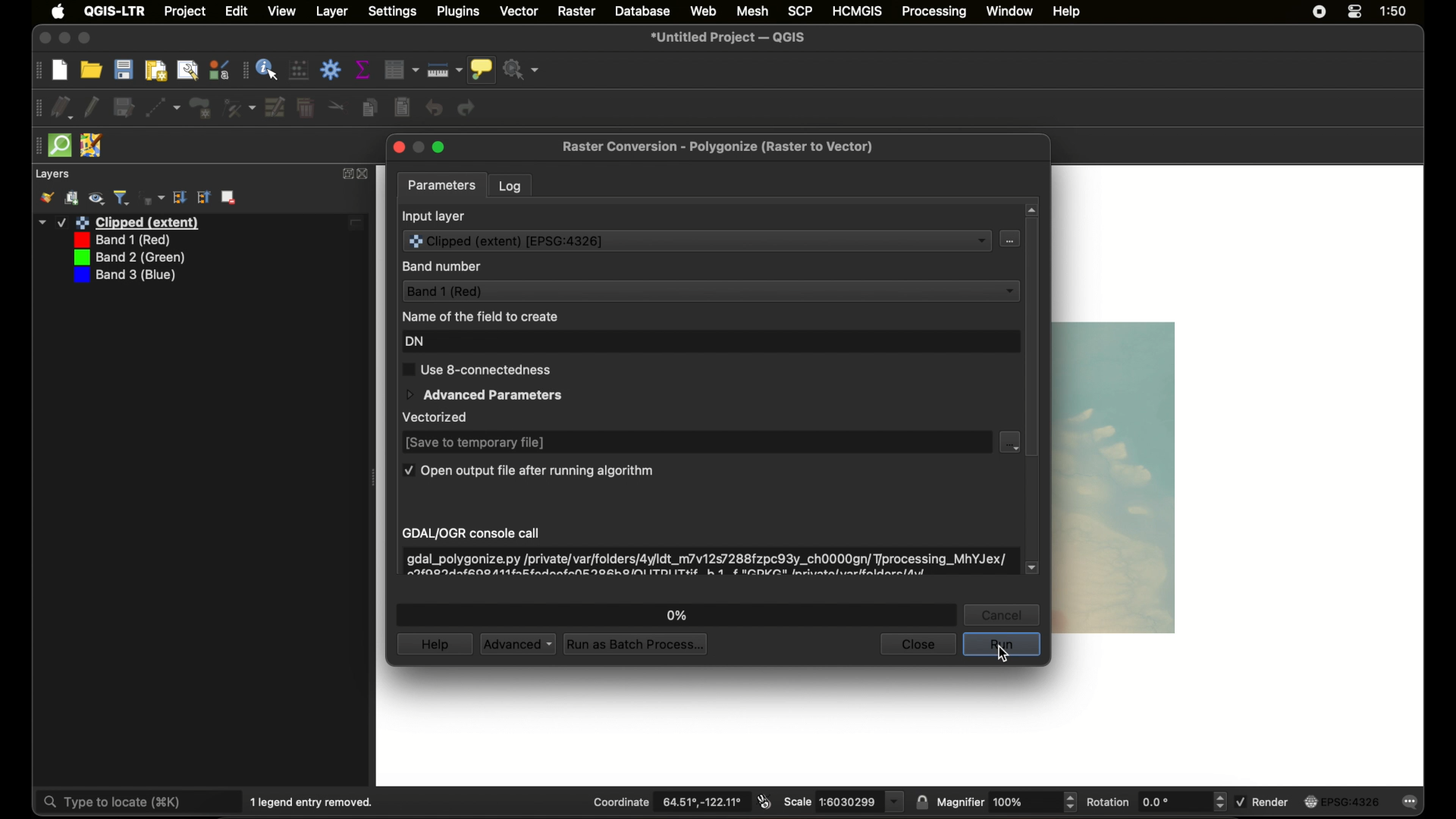  I want to click on copy, so click(370, 108).